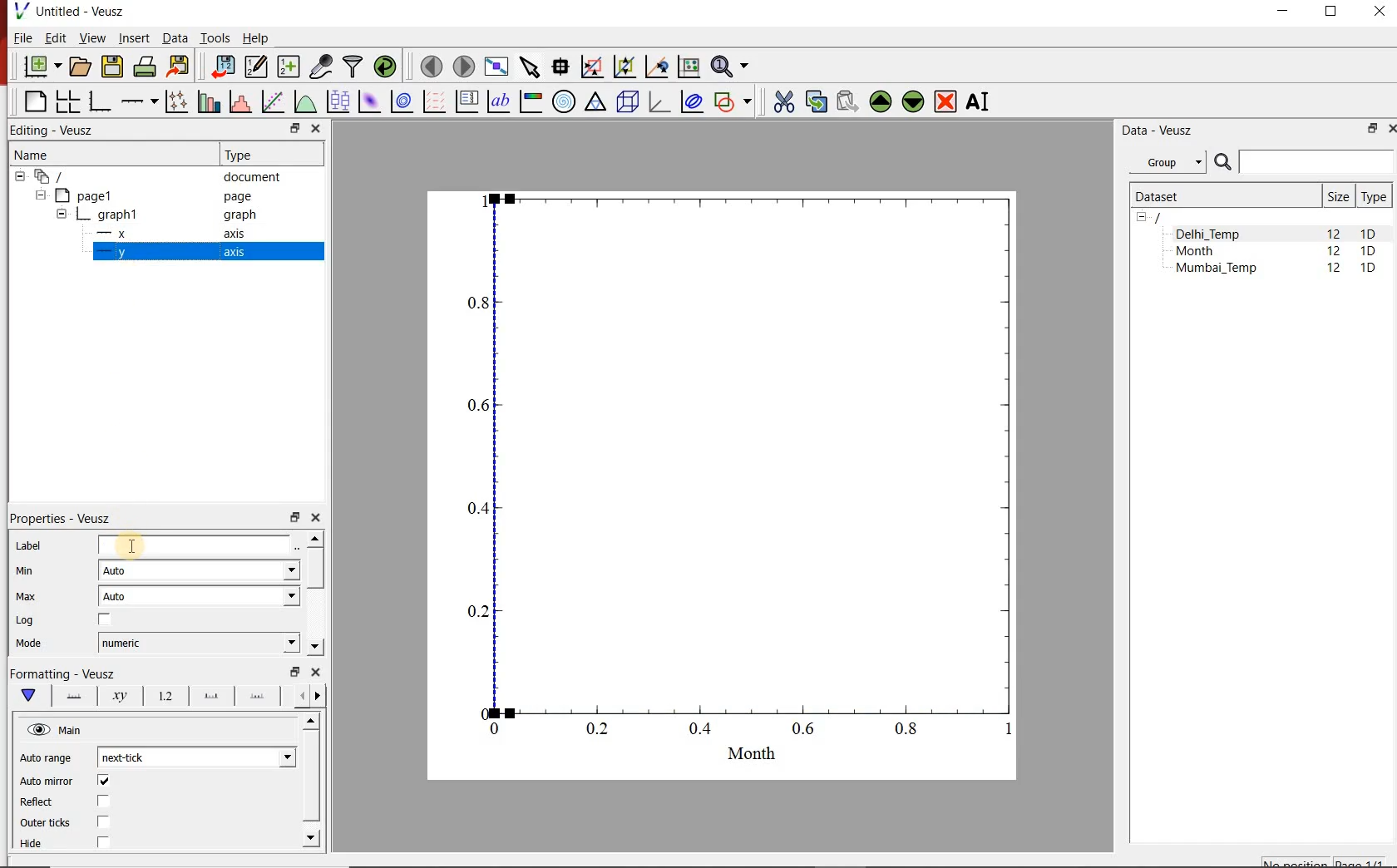 This screenshot has height=868, width=1397. I want to click on Month, so click(1207, 251).